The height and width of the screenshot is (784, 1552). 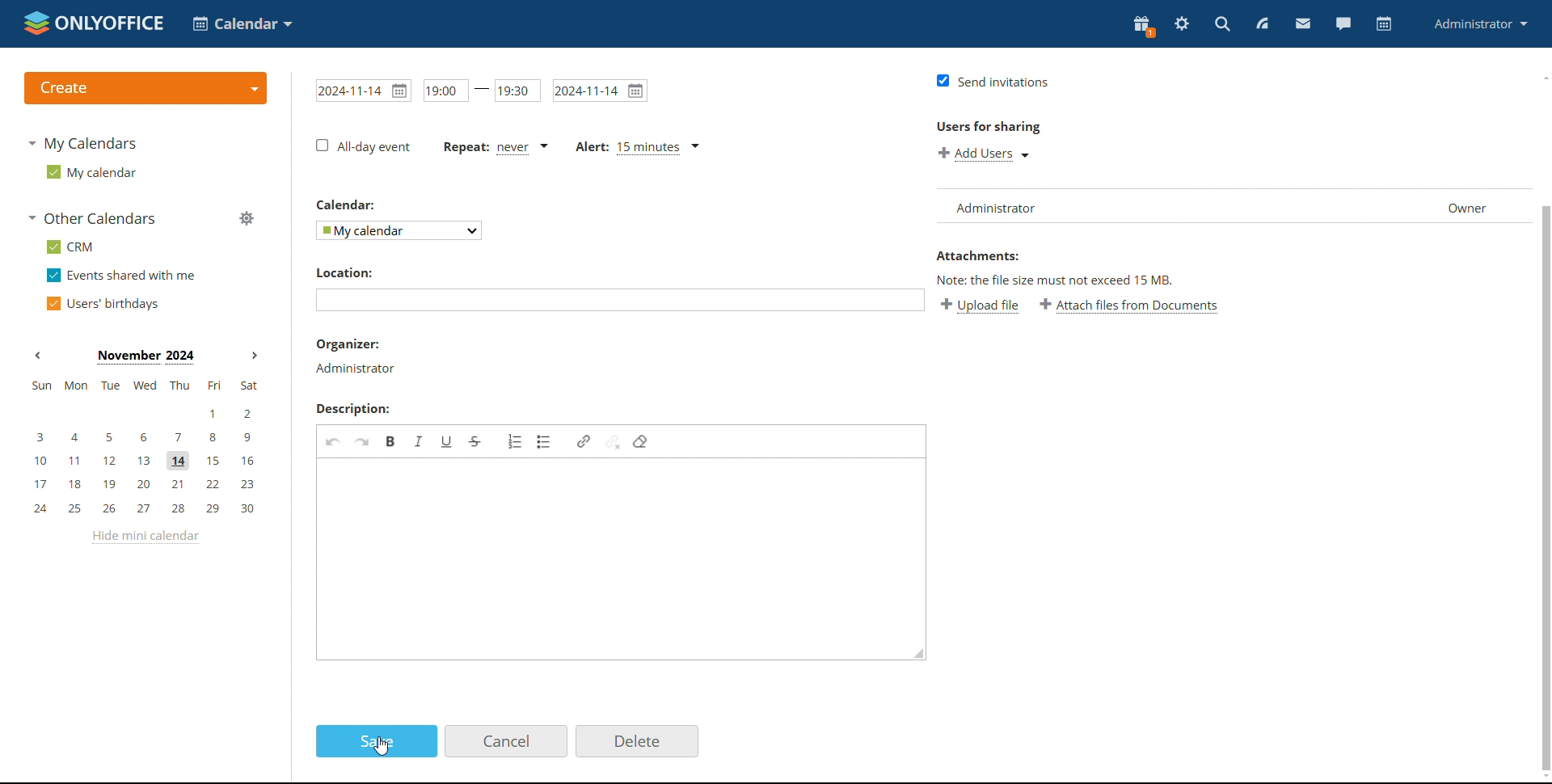 What do you see at coordinates (145, 537) in the screenshot?
I see `hide mini calendar` at bounding box center [145, 537].